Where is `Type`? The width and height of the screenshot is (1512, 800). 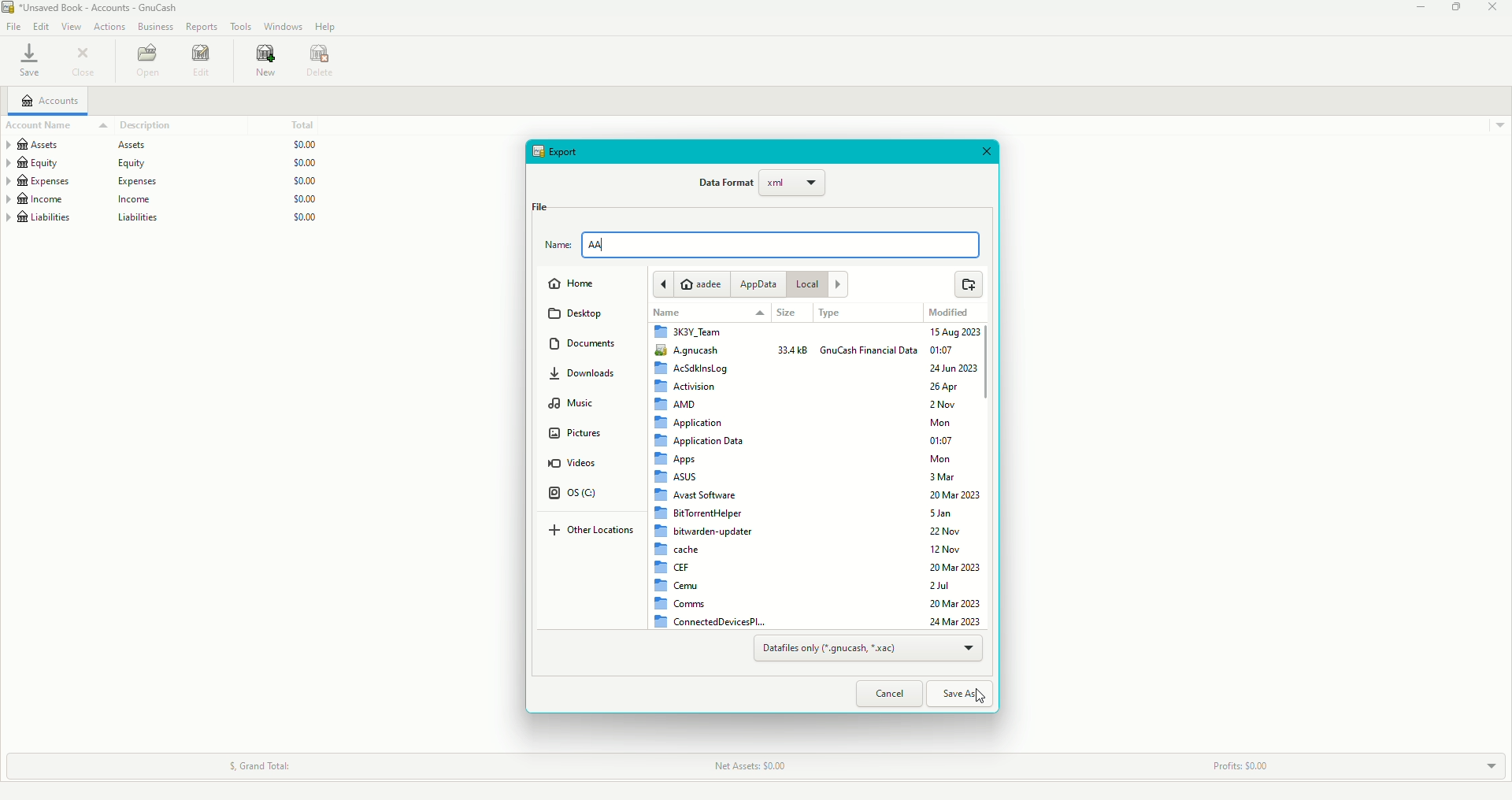 Type is located at coordinates (834, 314).